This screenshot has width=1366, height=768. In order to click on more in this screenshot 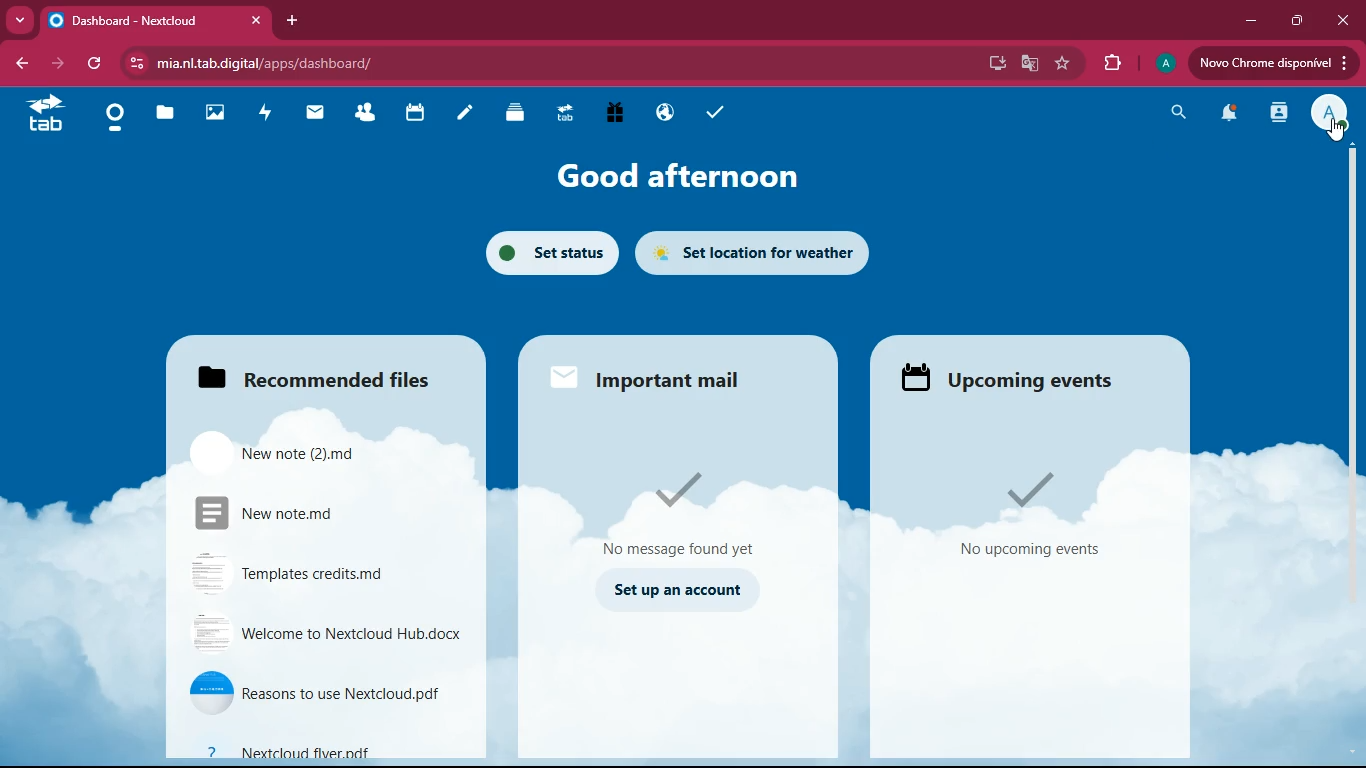, I will do `click(18, 20)`.